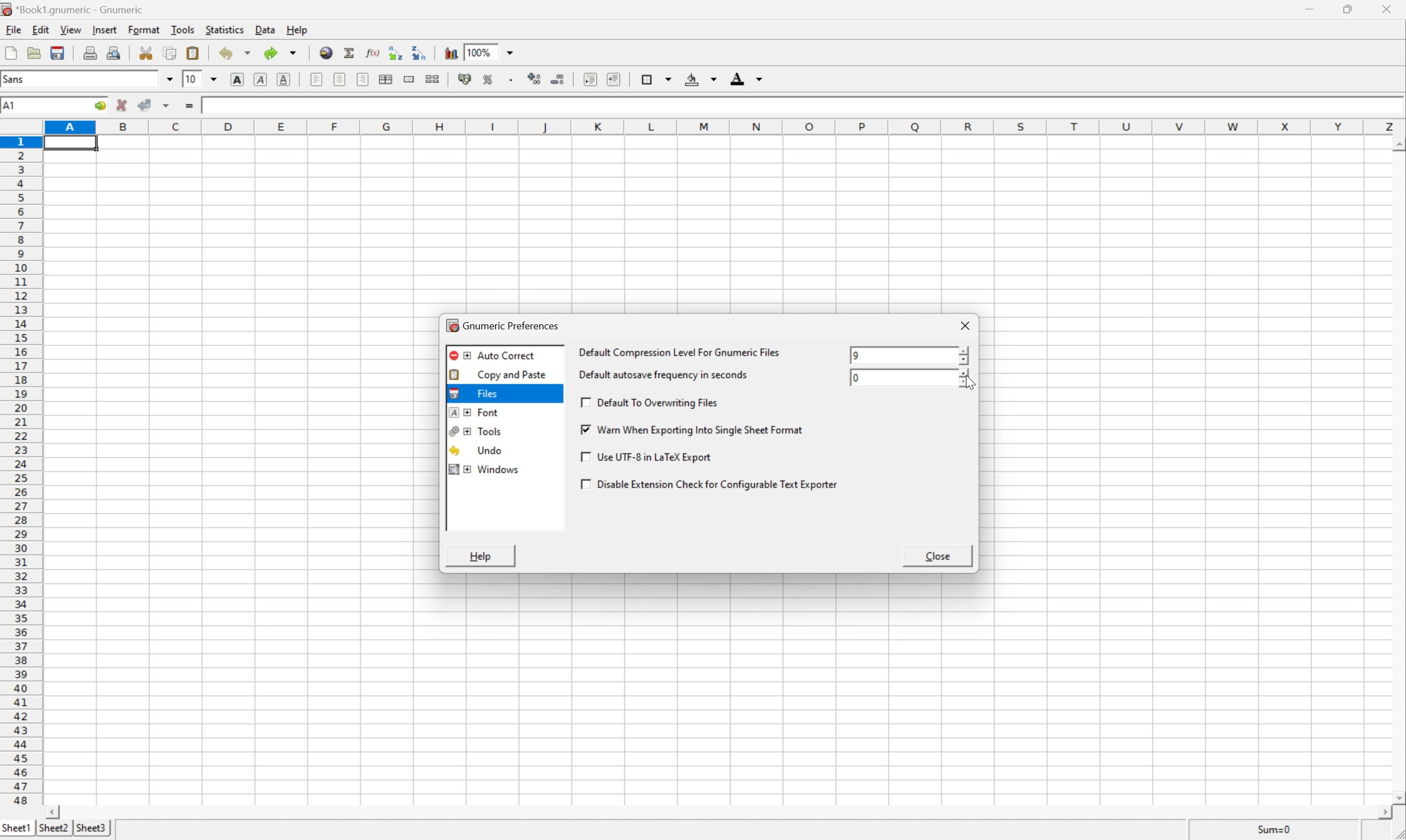 This screenshot has height=840, width=1406. Describe the element at coordinates (283, 79) in the screenshot. I see `underline` at that location.